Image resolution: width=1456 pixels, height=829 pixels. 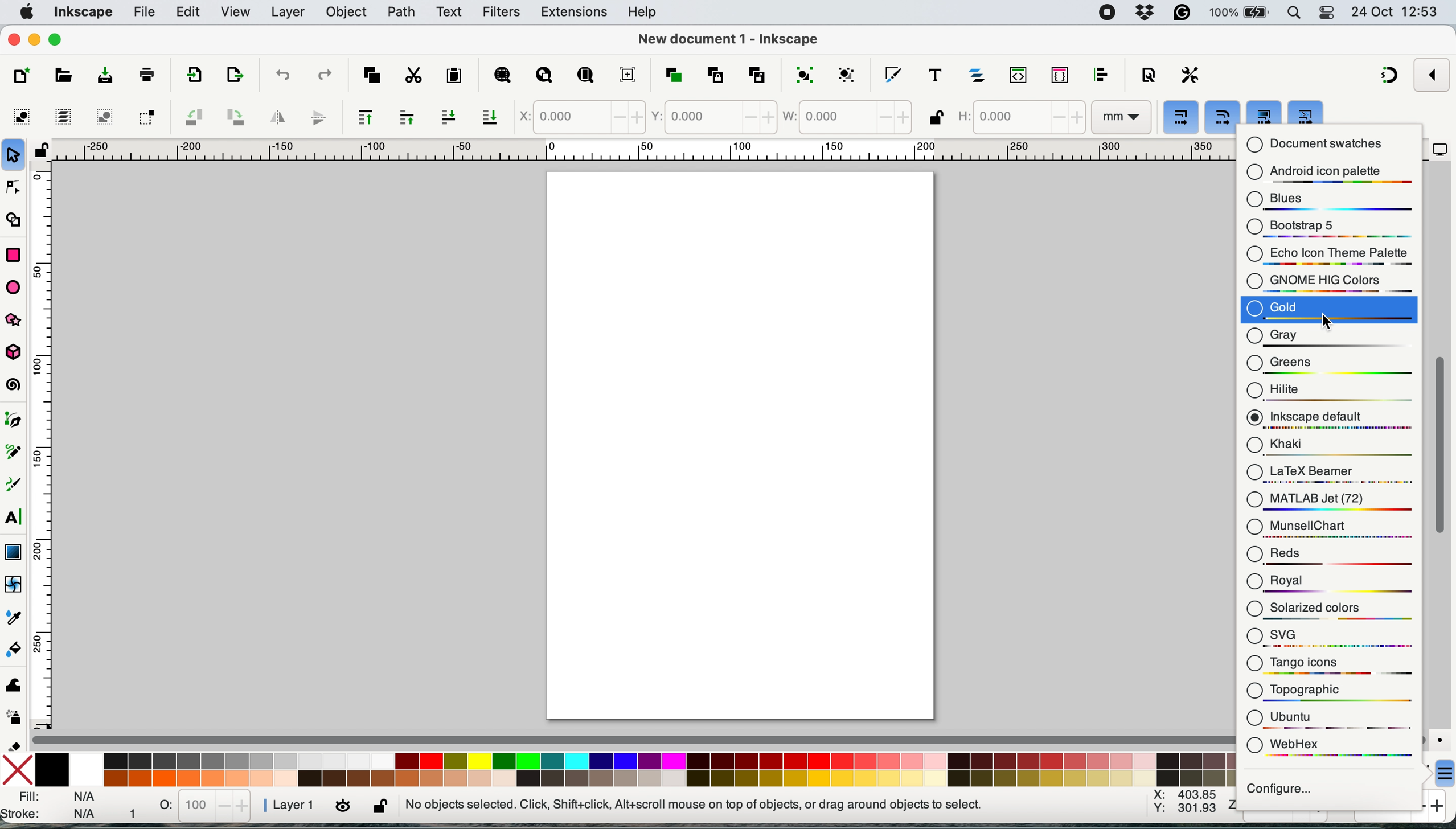 What do you see at coordinates (44, 445) in the screenshot?
I see `vertical scale` at bounding box center [44, 445].